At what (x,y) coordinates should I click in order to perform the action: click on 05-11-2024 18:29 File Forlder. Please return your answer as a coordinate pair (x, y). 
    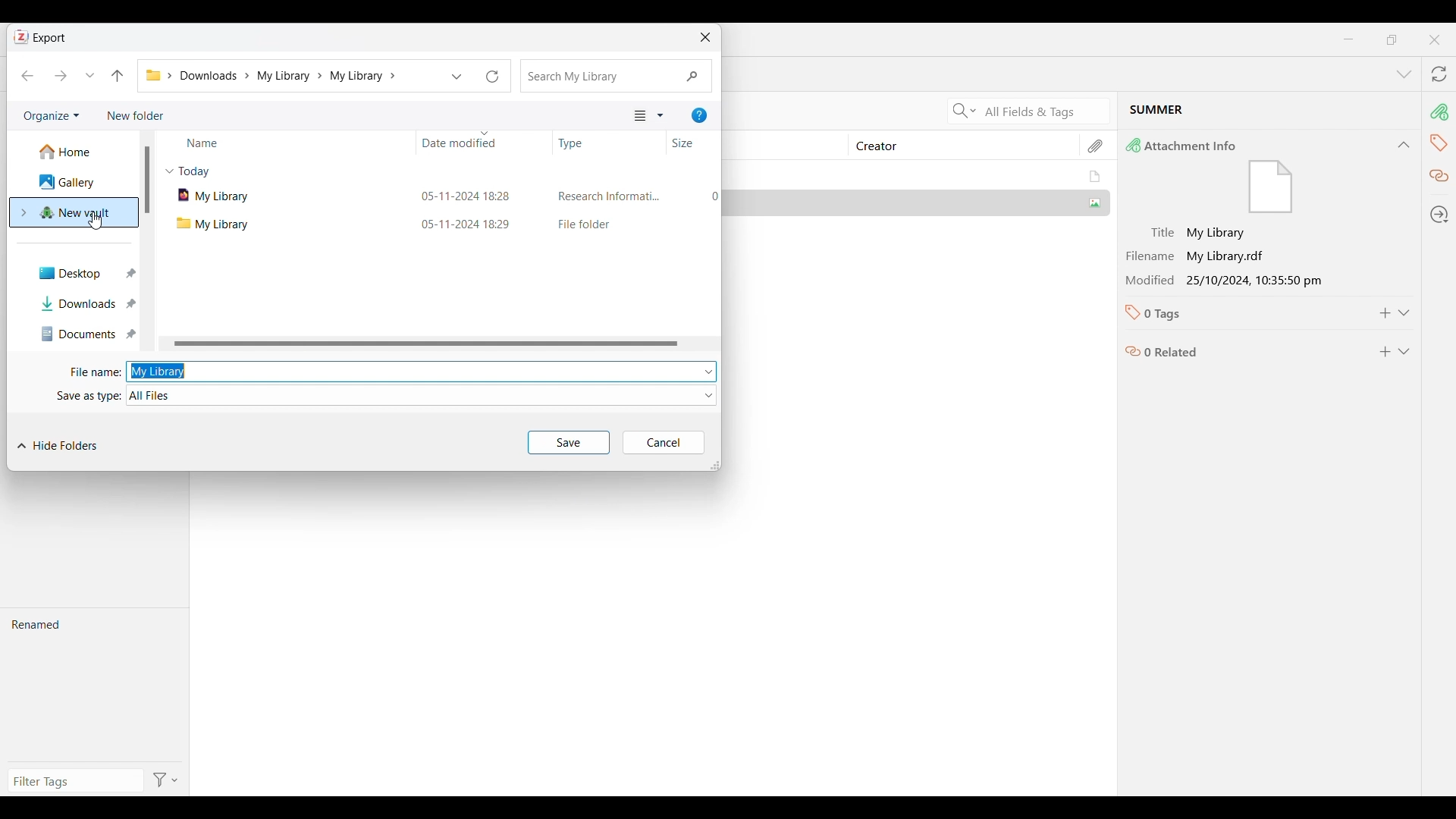
    Looking at the image, I should click on (566, 224).